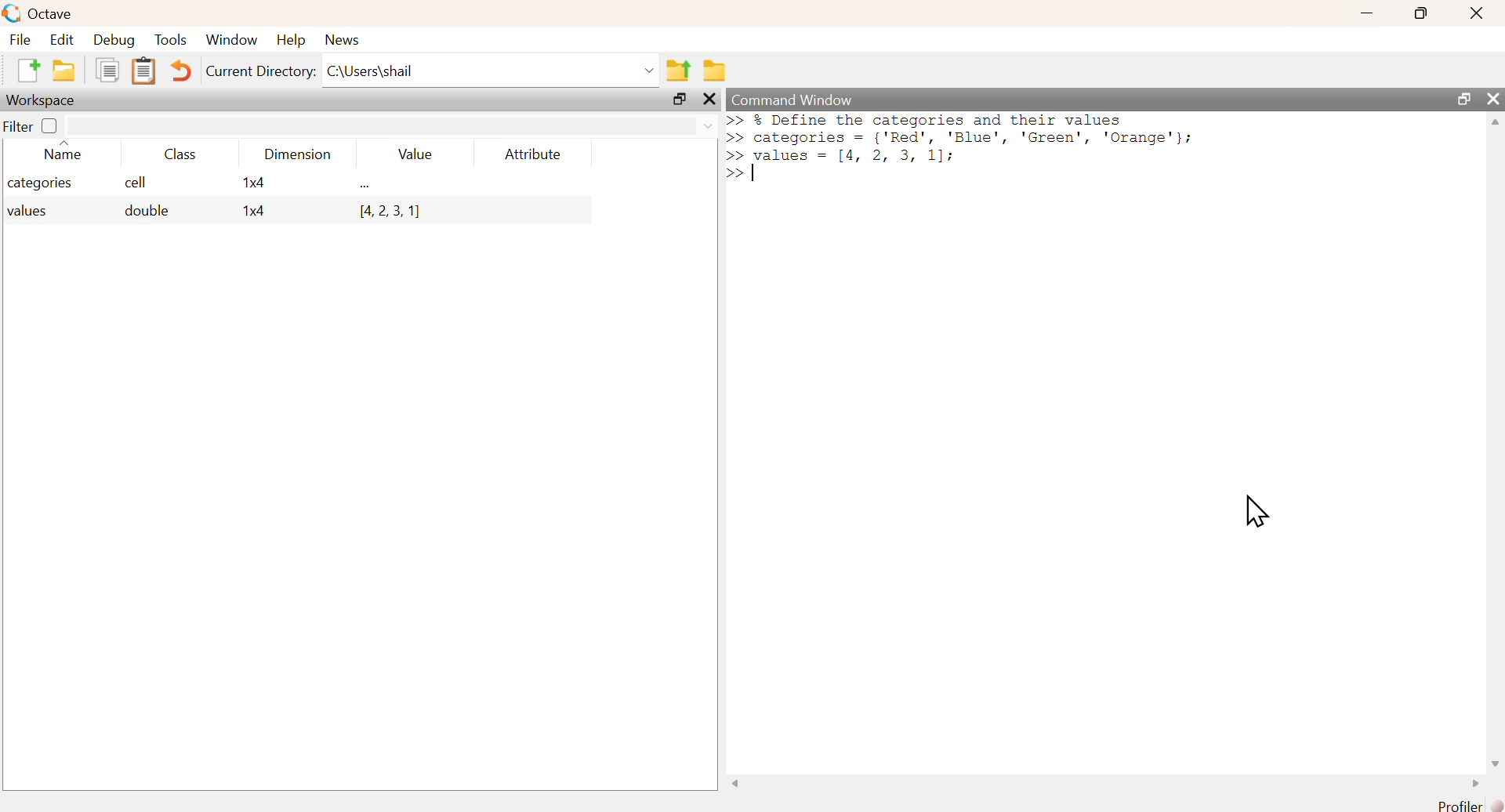  I want to click on cell, so click(136, 181).